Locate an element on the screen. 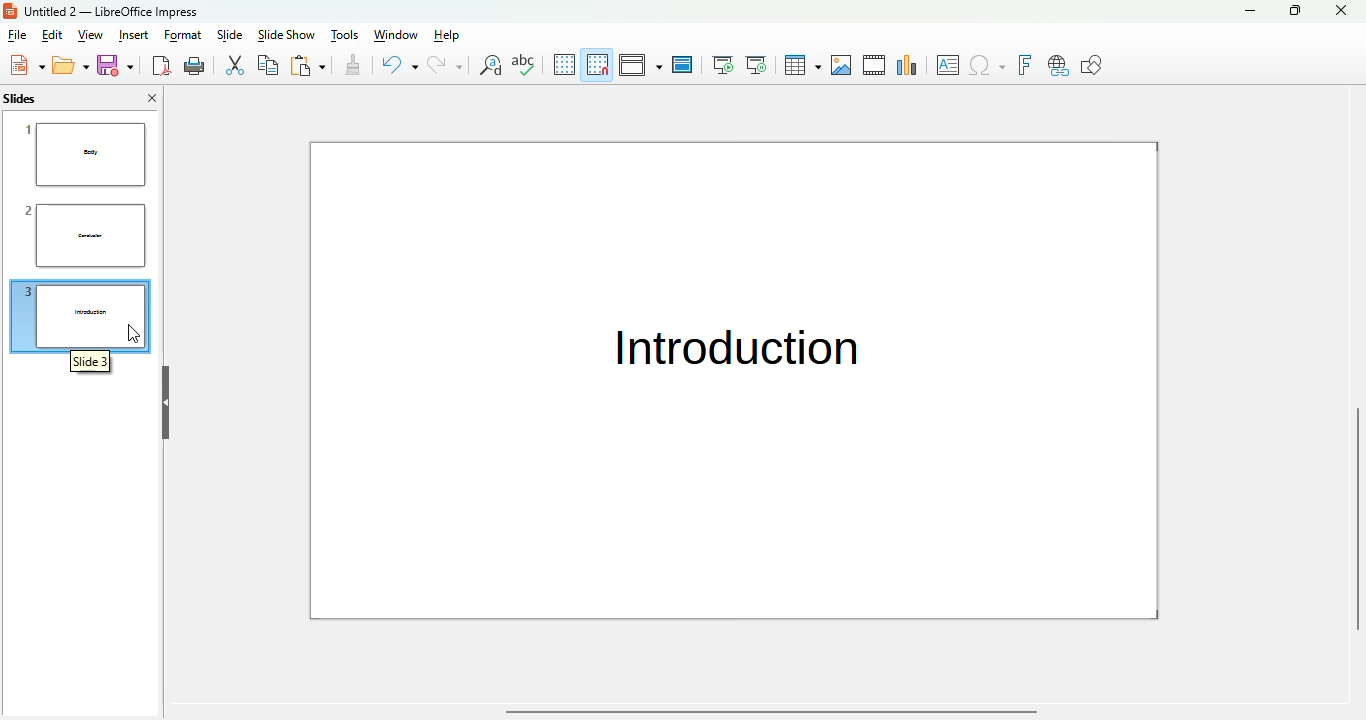 This screenshot has height=720, width=1366. insert special characters is located at coordinates (987, 65).